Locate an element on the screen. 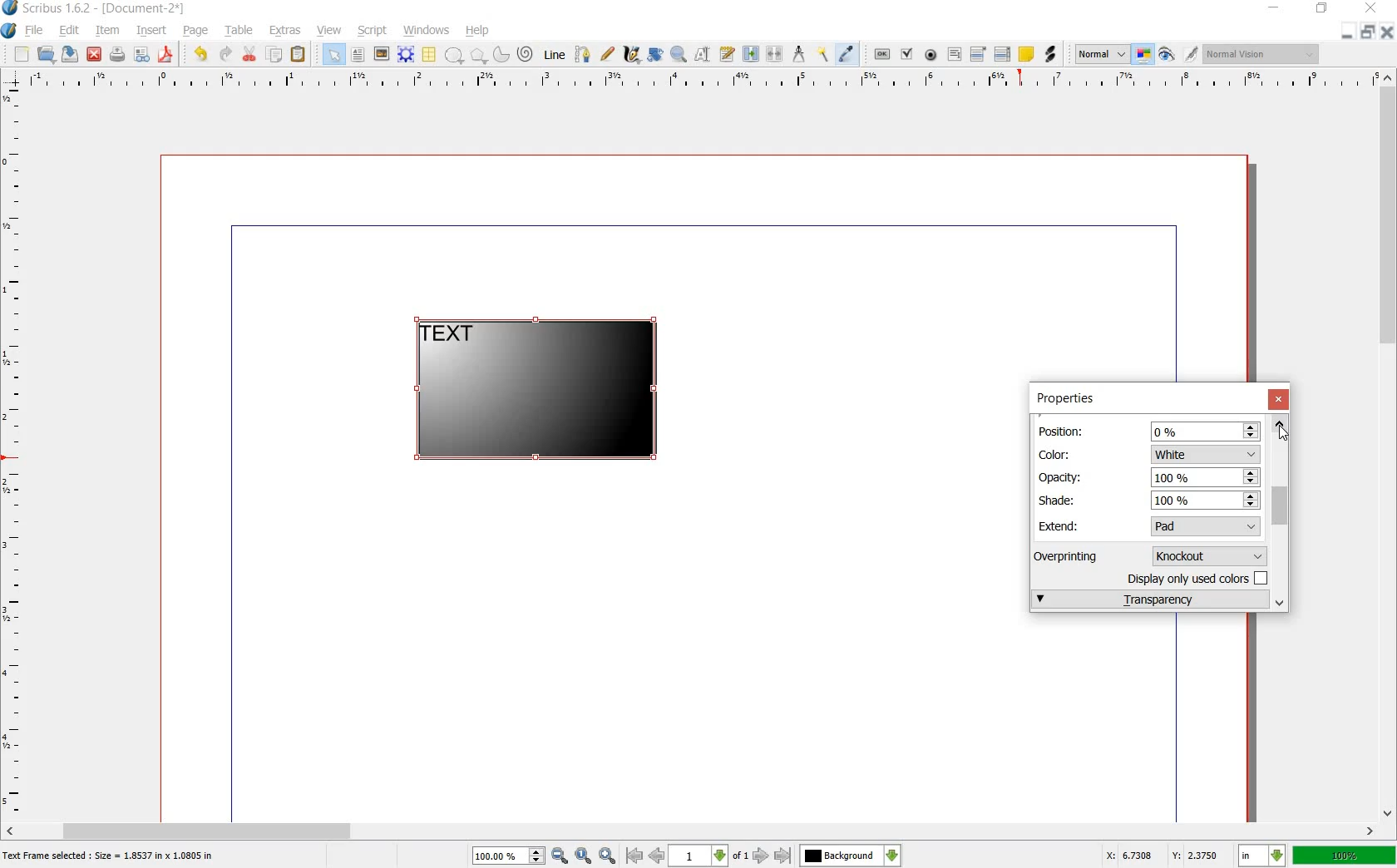 The height and width of the screenshot is (868, 1397). overprinting is located at coordinates (1074, 555).